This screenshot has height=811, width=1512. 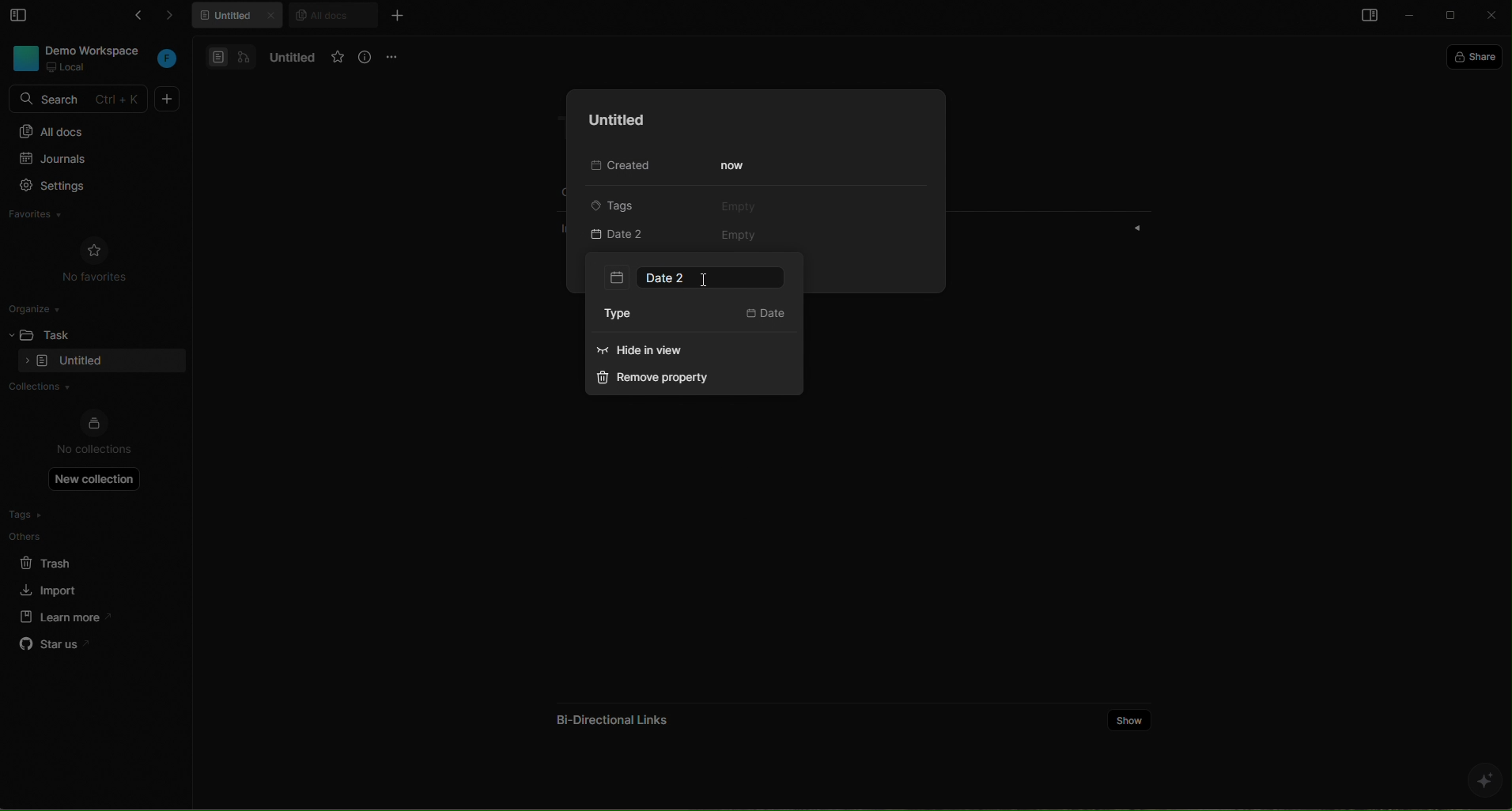 What do you see at coordinates (669, 353) in the screenshot?
I see `hide in view` at bounding box center [669, 353].